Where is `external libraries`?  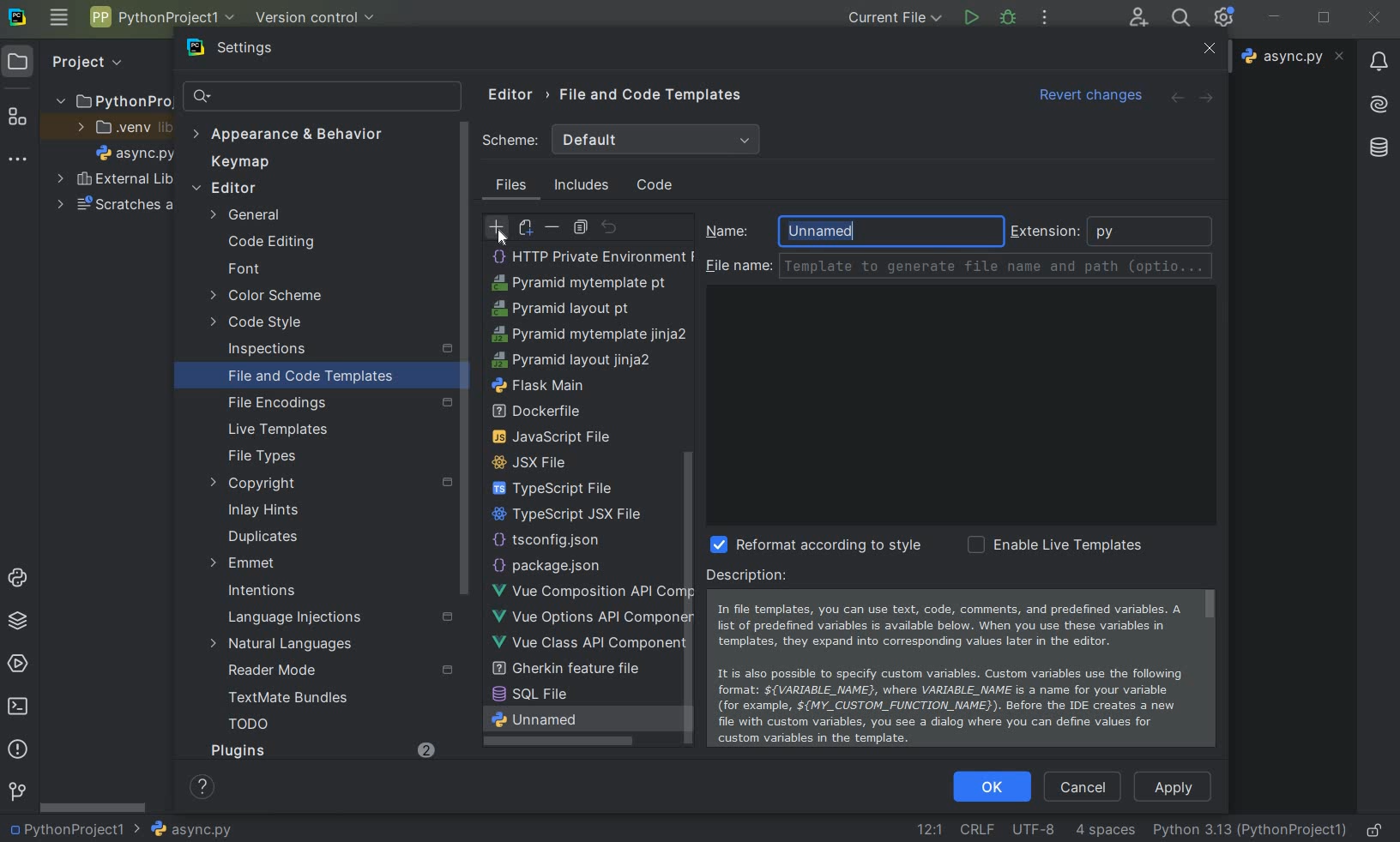 external libraries is located at coordinates (111, 180).